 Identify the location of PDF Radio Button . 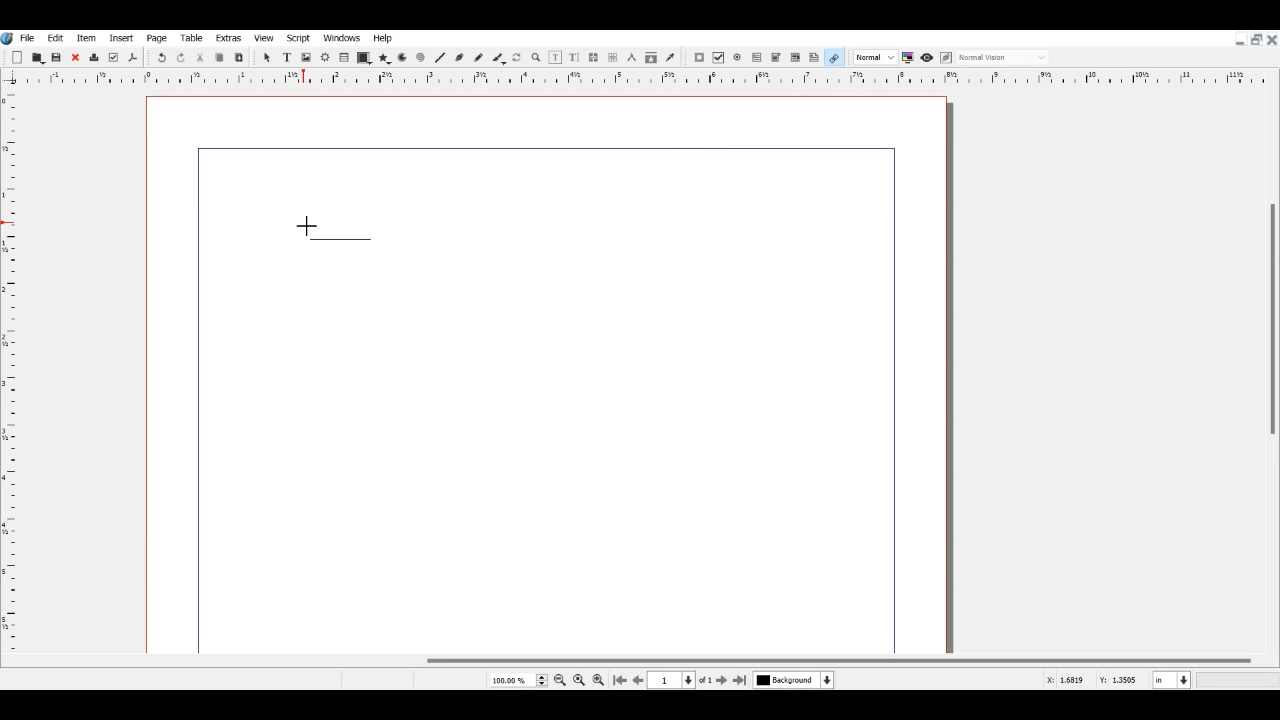
(739, 58).